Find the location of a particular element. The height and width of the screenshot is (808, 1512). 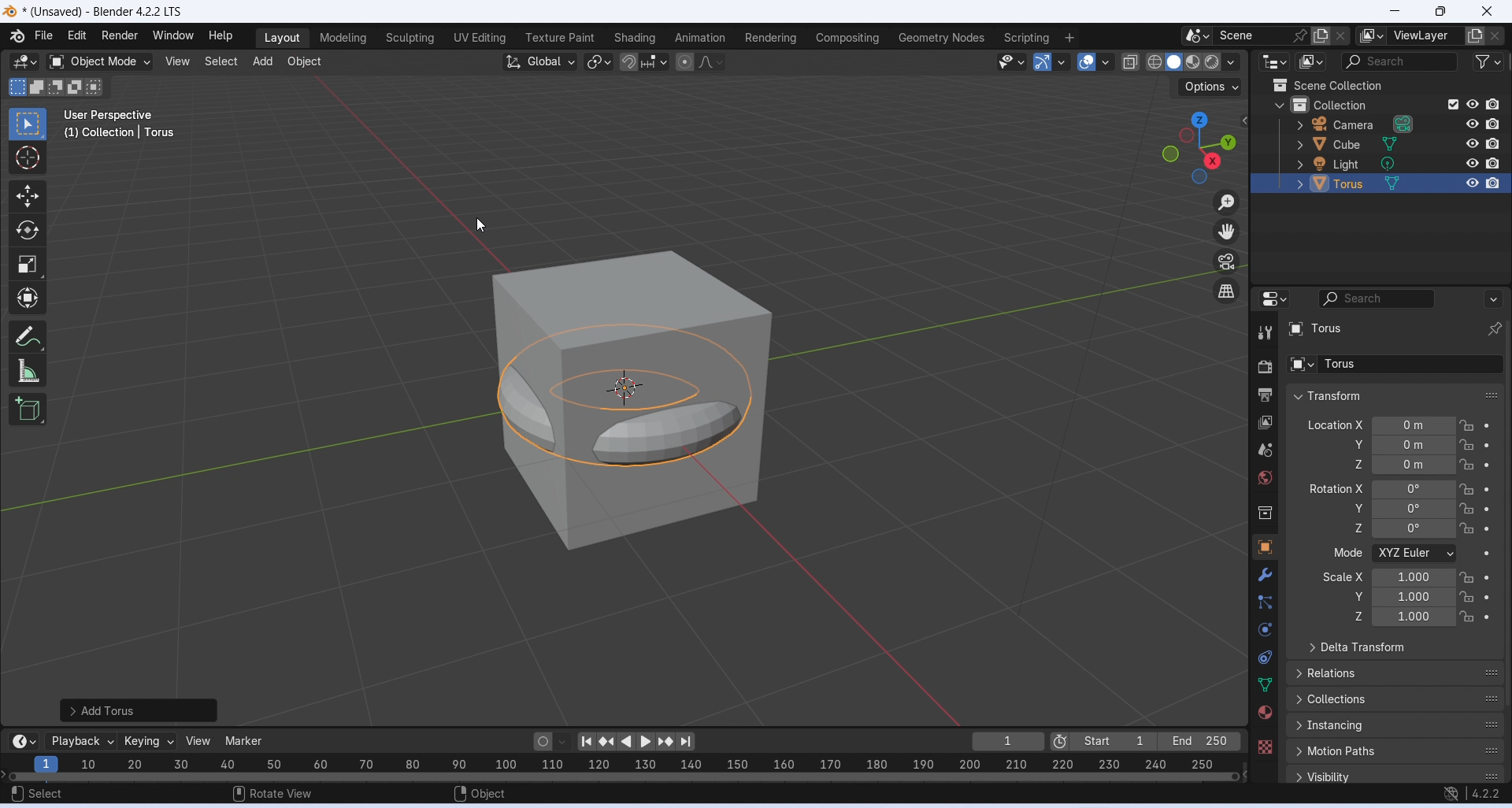

Scale  Y is located at coordinates (1358, 596).